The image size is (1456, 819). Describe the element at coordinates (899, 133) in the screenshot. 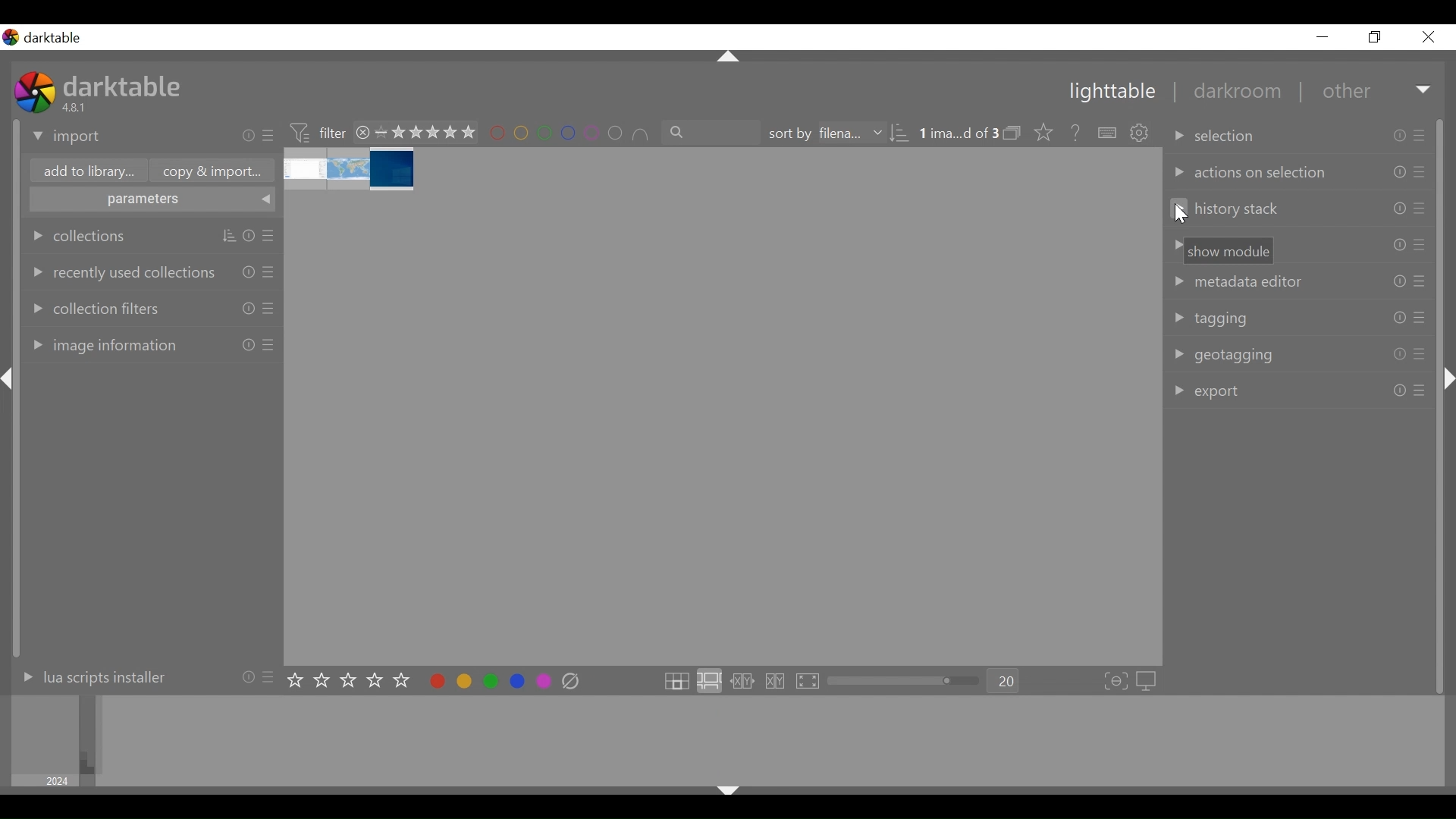

I see `sorting` at that location.